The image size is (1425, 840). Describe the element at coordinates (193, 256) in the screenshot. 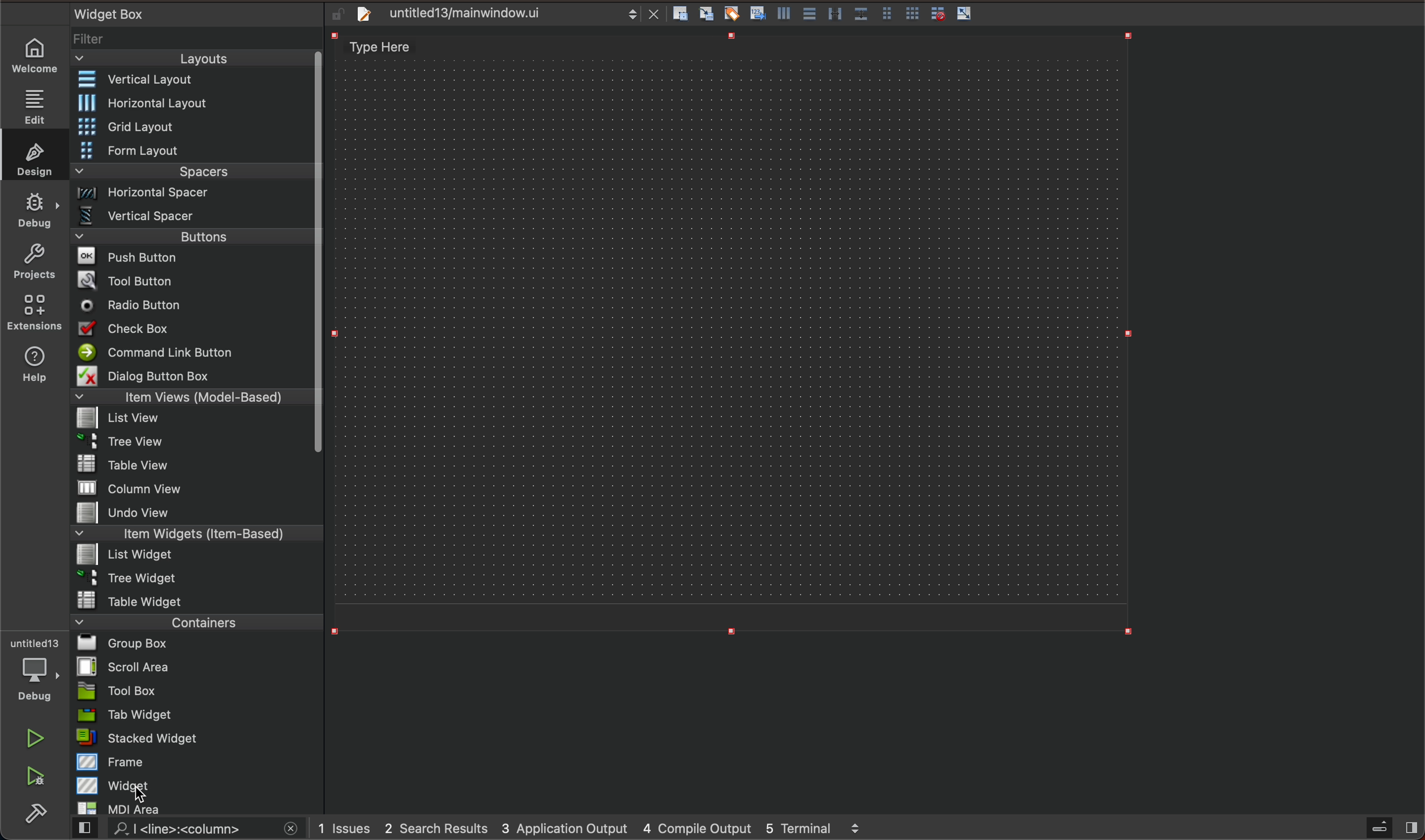

I see `push buttons` at that location.